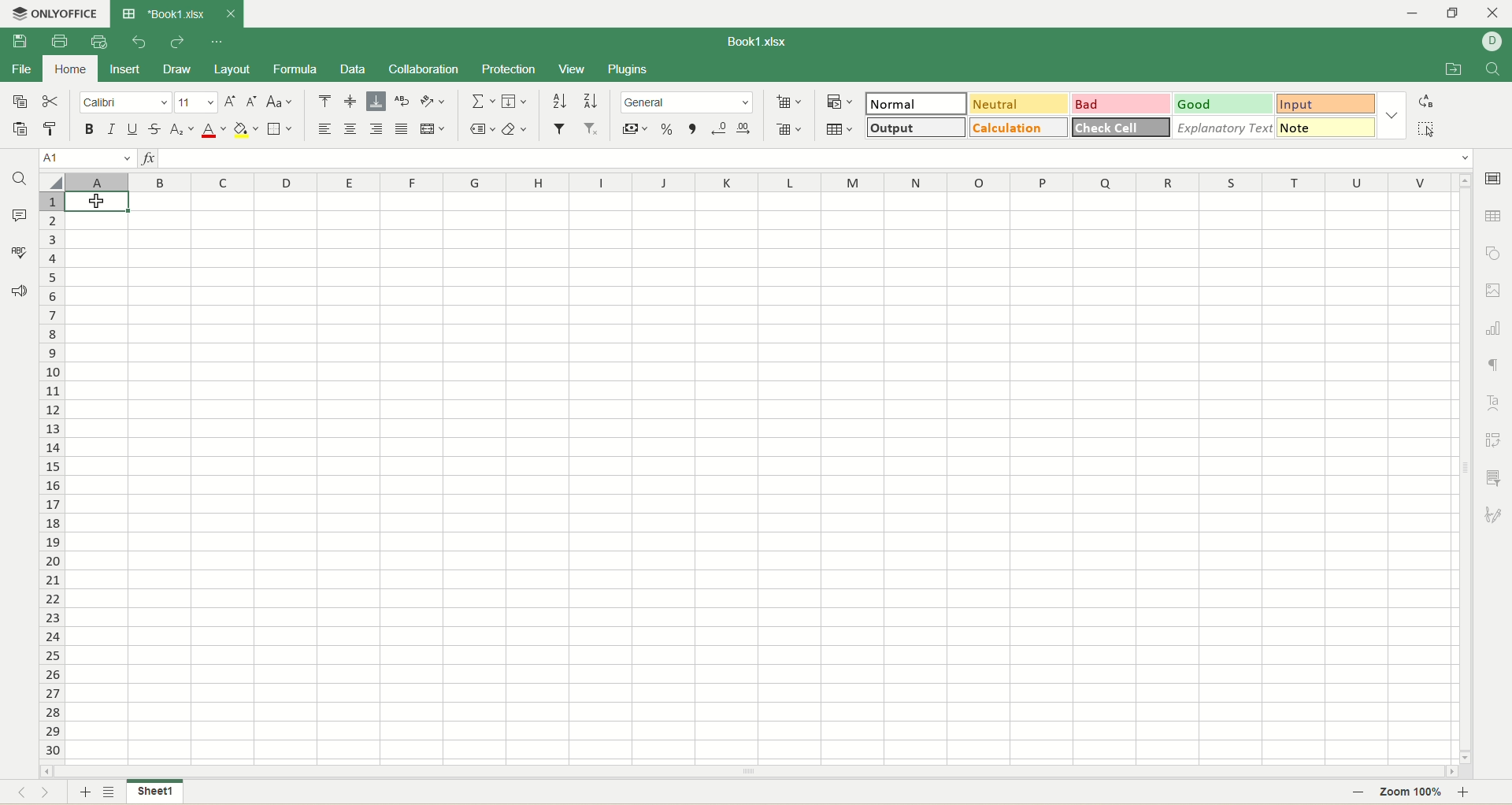 The image size is (1512, 805). I want to click on worksheet, so click(758, 478).